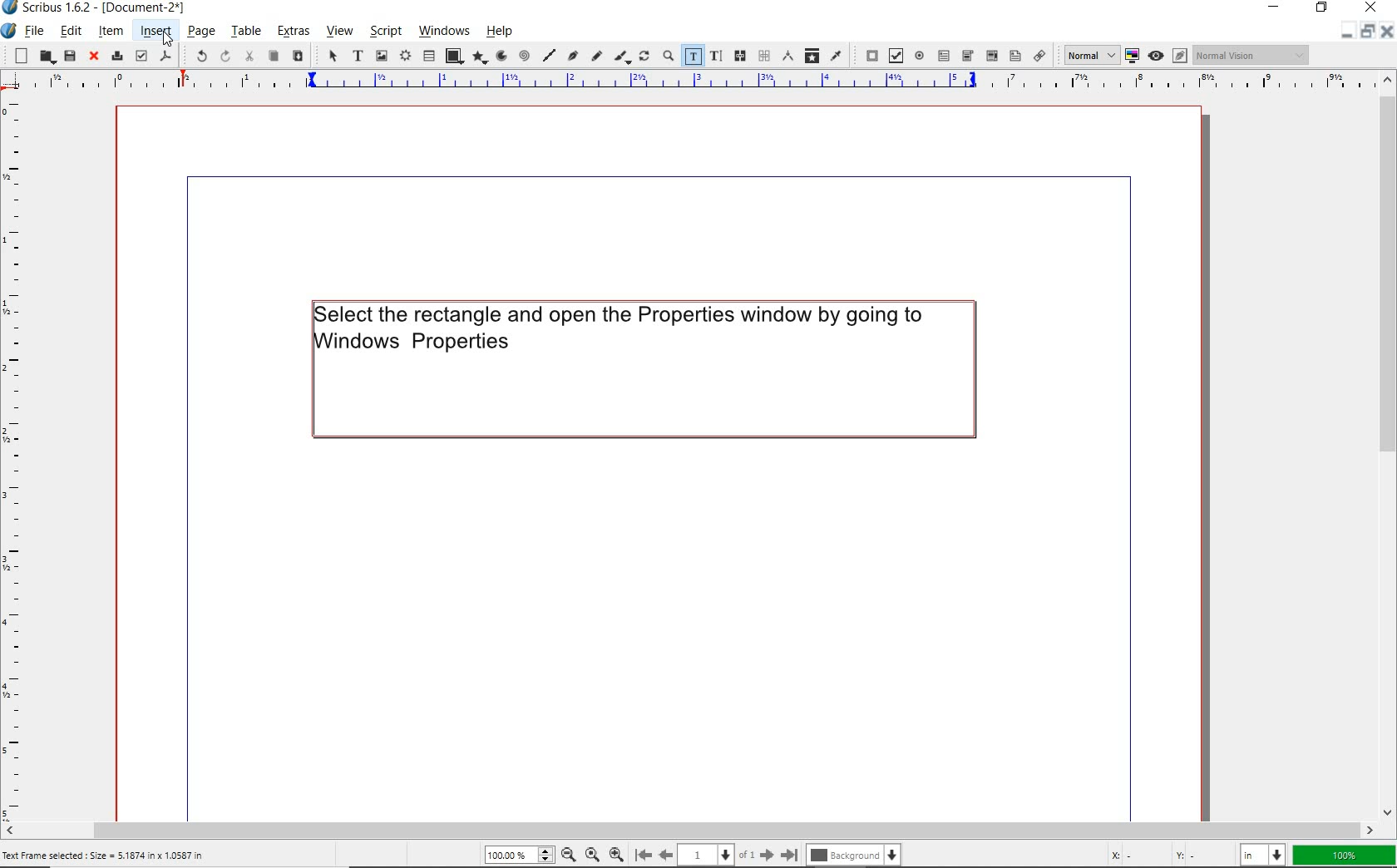 The height and width of the screenshot is (868, 1397). Describe the element at coordinates (155, 31) in the screenshot. I see `insert` at that location.